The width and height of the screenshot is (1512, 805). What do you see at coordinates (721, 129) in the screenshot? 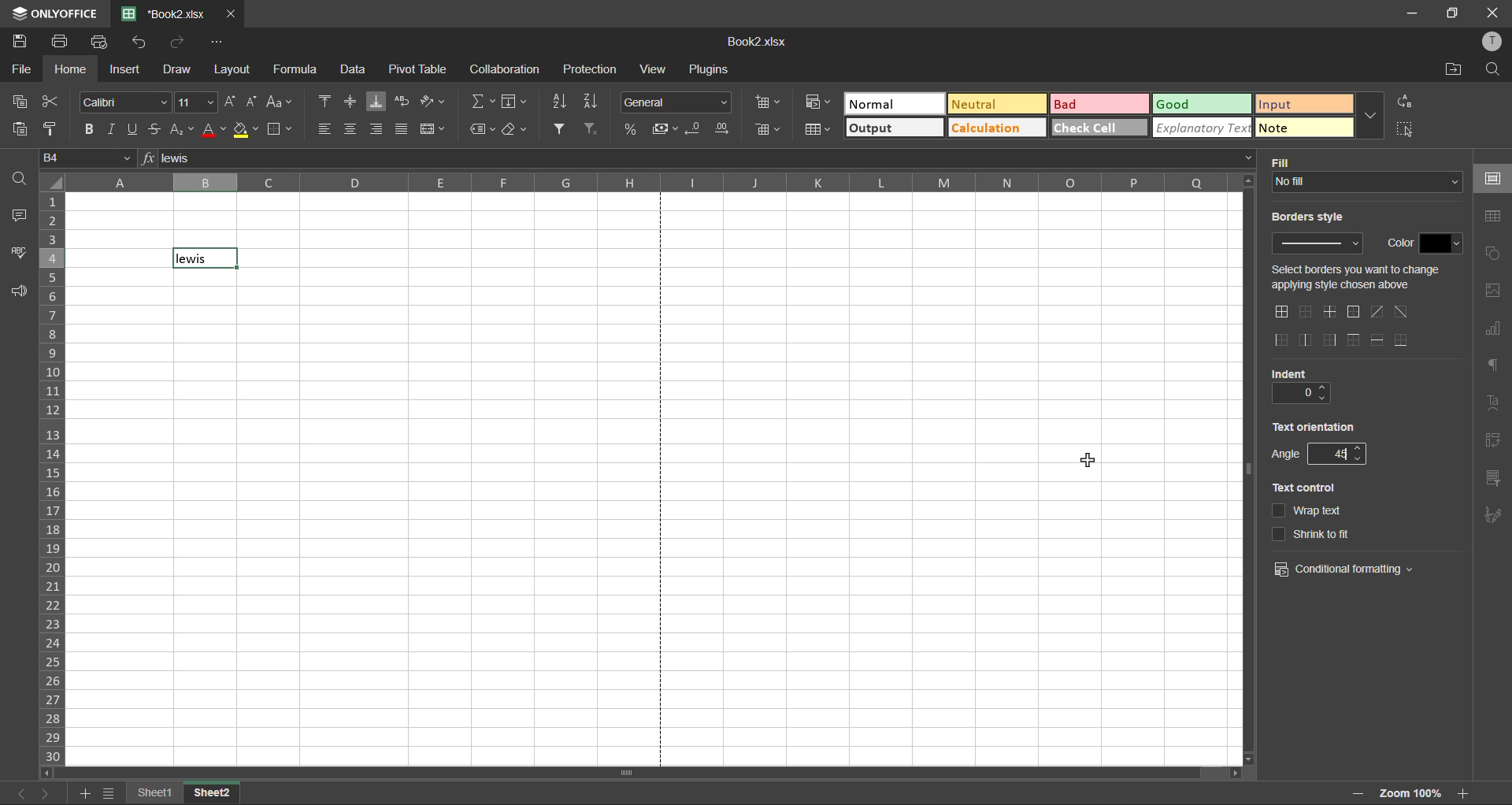
I see `increase decimal` at bounding box center [721, 129].